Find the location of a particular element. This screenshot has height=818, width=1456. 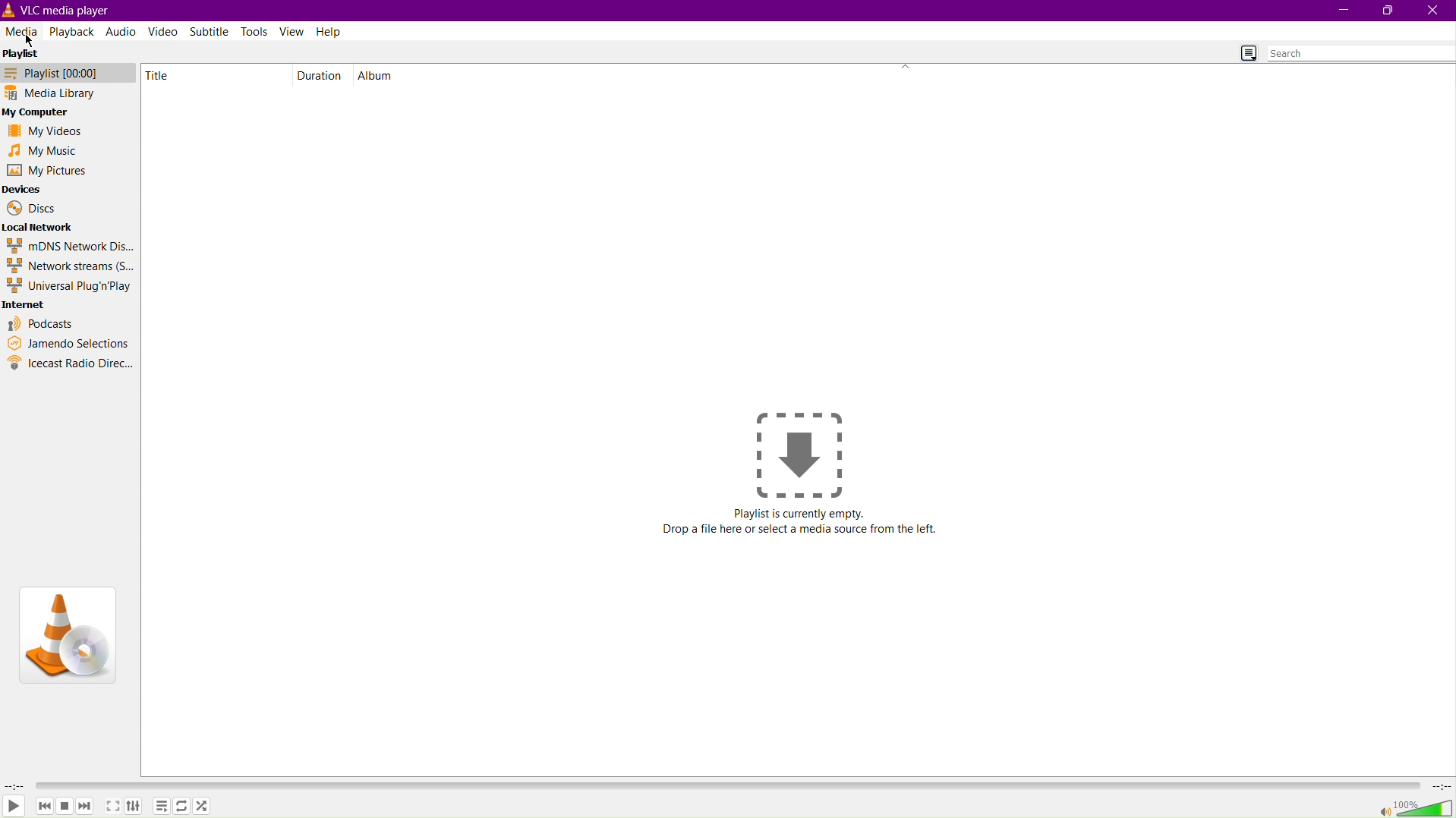

Subtitle is located at coordinates (213, 32).